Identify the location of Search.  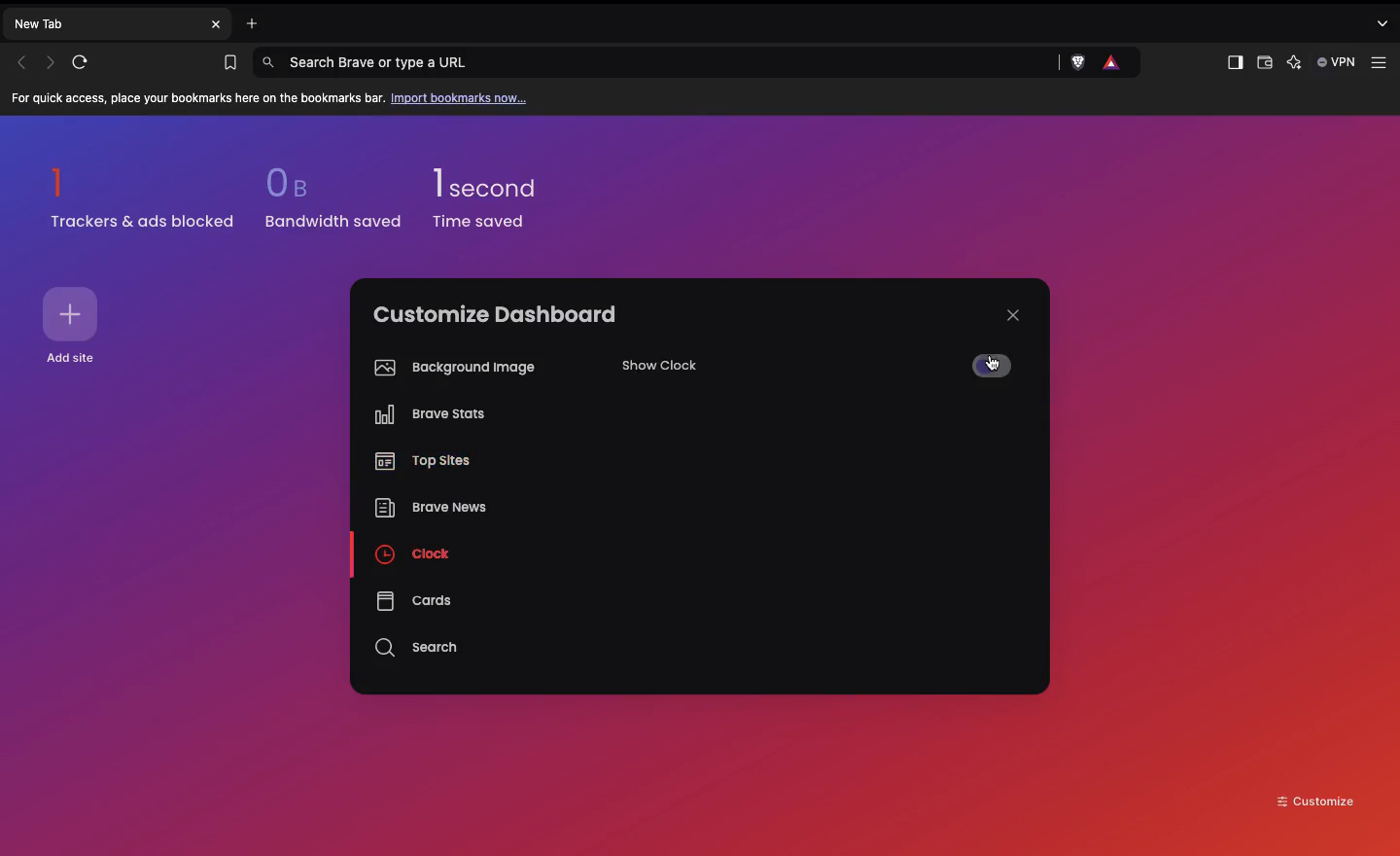
(418, 648).